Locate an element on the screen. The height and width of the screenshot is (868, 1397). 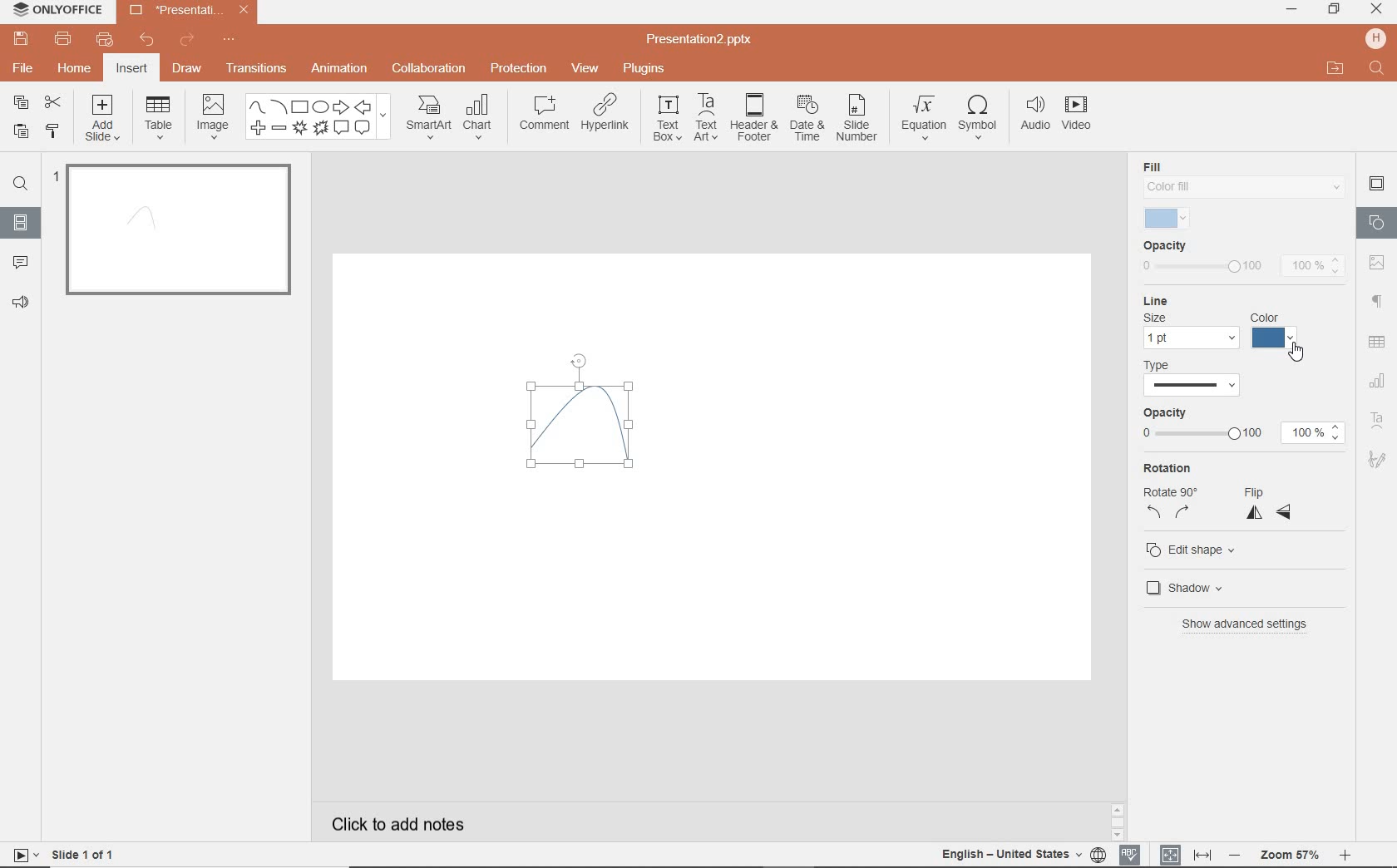
image settings is located at coordinates (1377, 262).